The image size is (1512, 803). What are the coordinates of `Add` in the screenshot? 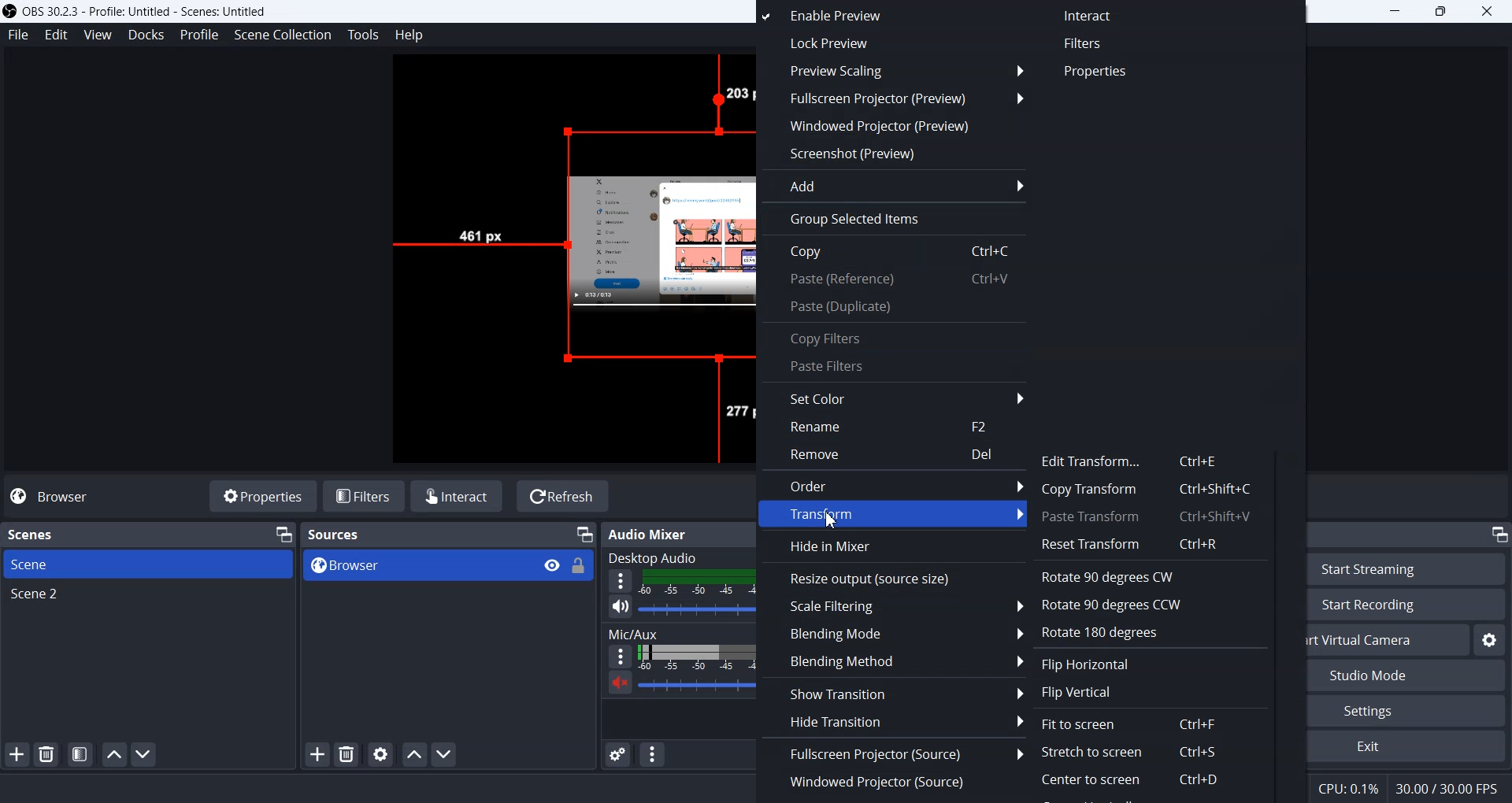 It's located at (892, 184).